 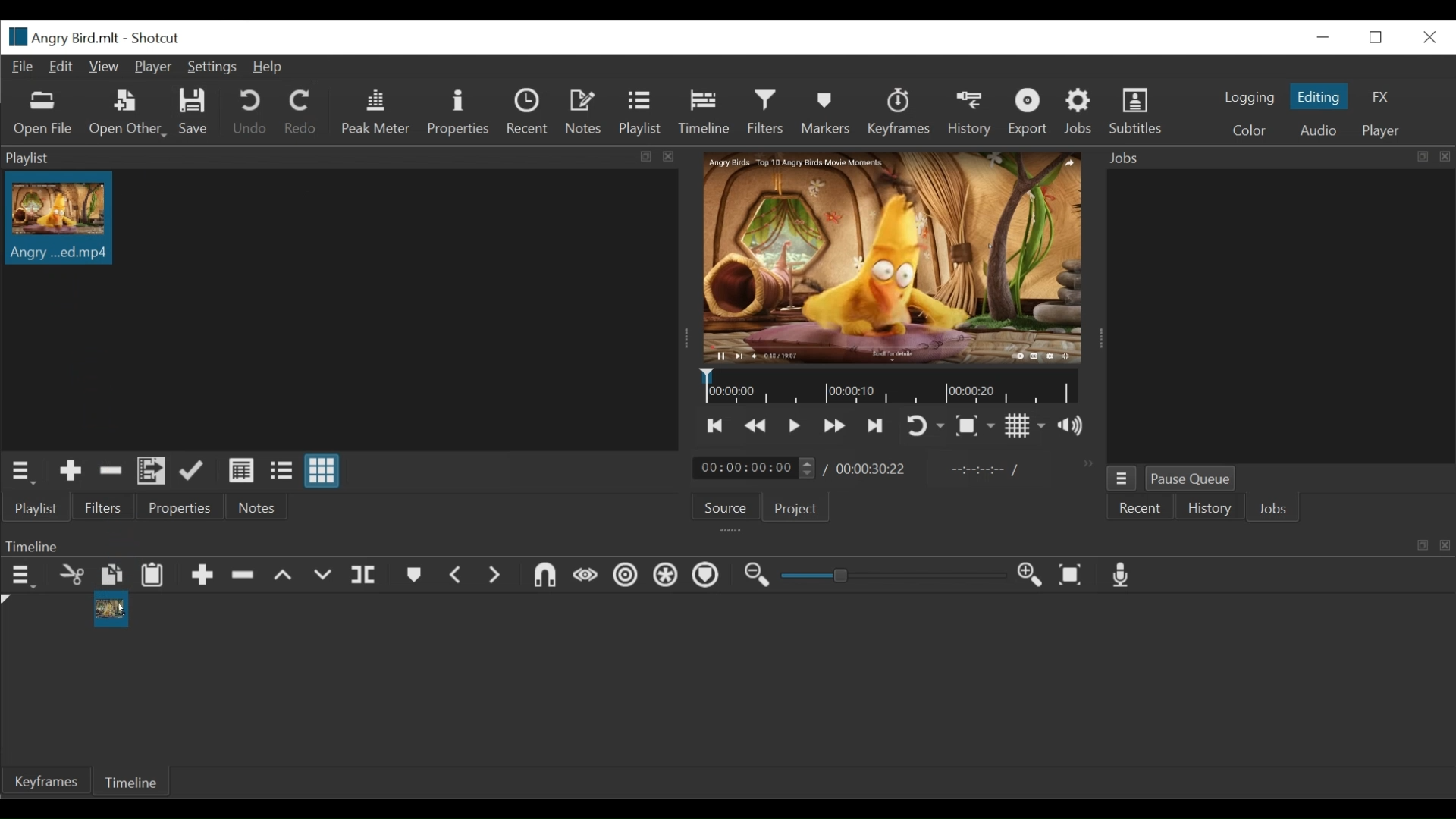 I want to click on logging, so click(x=1250, y=97).